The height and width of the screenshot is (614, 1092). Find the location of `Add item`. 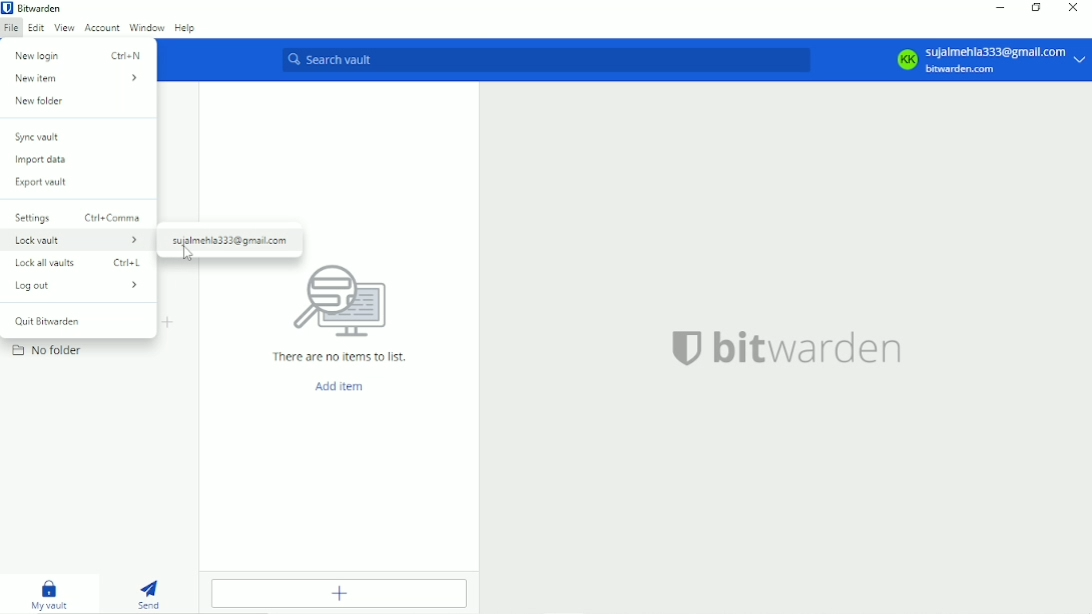

Add item is located at coordinates (340, 388).